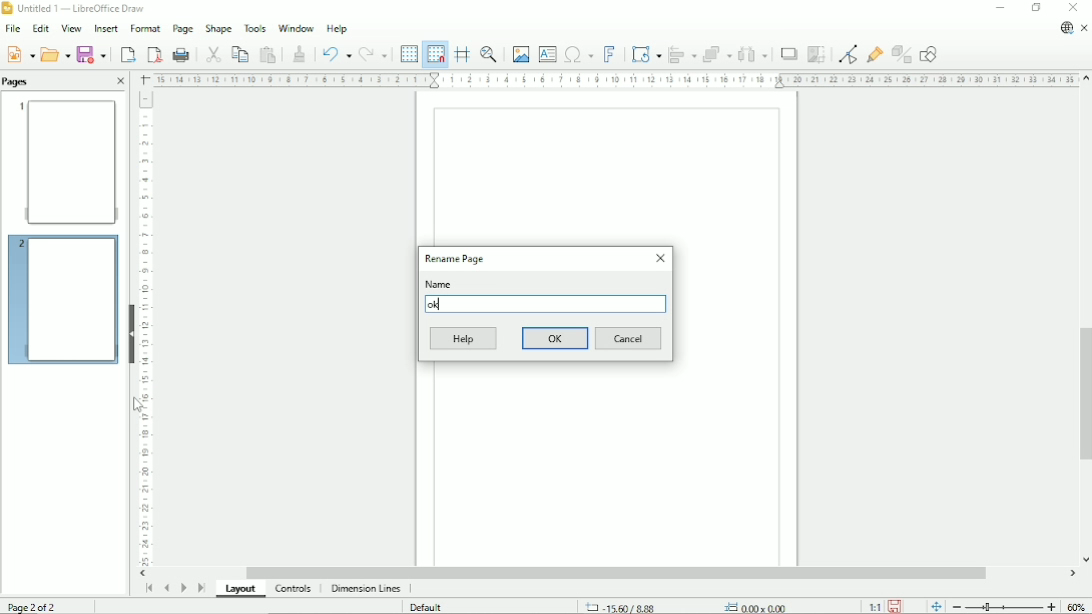  I want to click on Transformation, so click(648, 54).